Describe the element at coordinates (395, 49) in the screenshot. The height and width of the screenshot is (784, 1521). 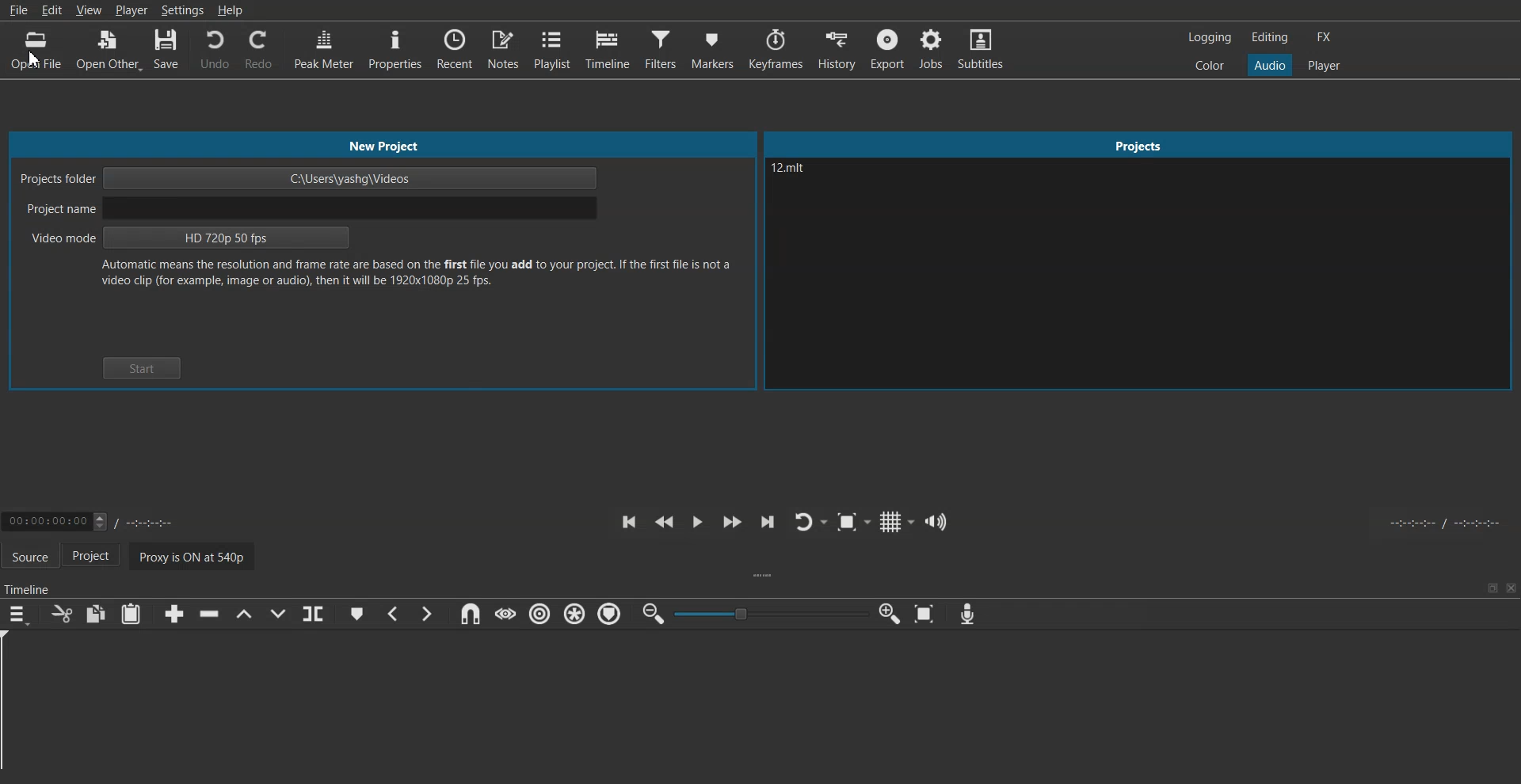
I see `Properties` at that location.